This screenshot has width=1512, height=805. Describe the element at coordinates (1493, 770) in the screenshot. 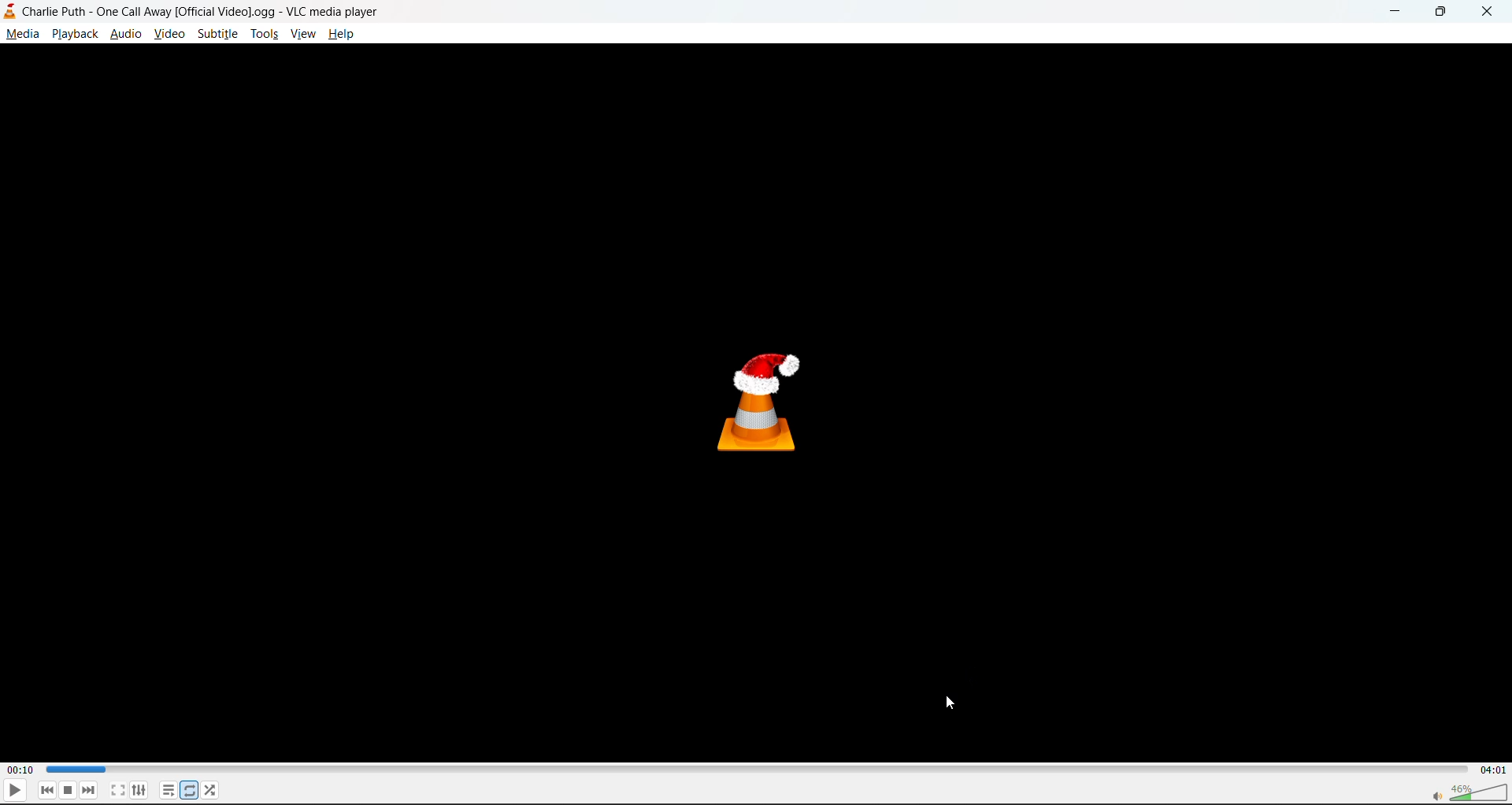

I see `04:01` at that location.